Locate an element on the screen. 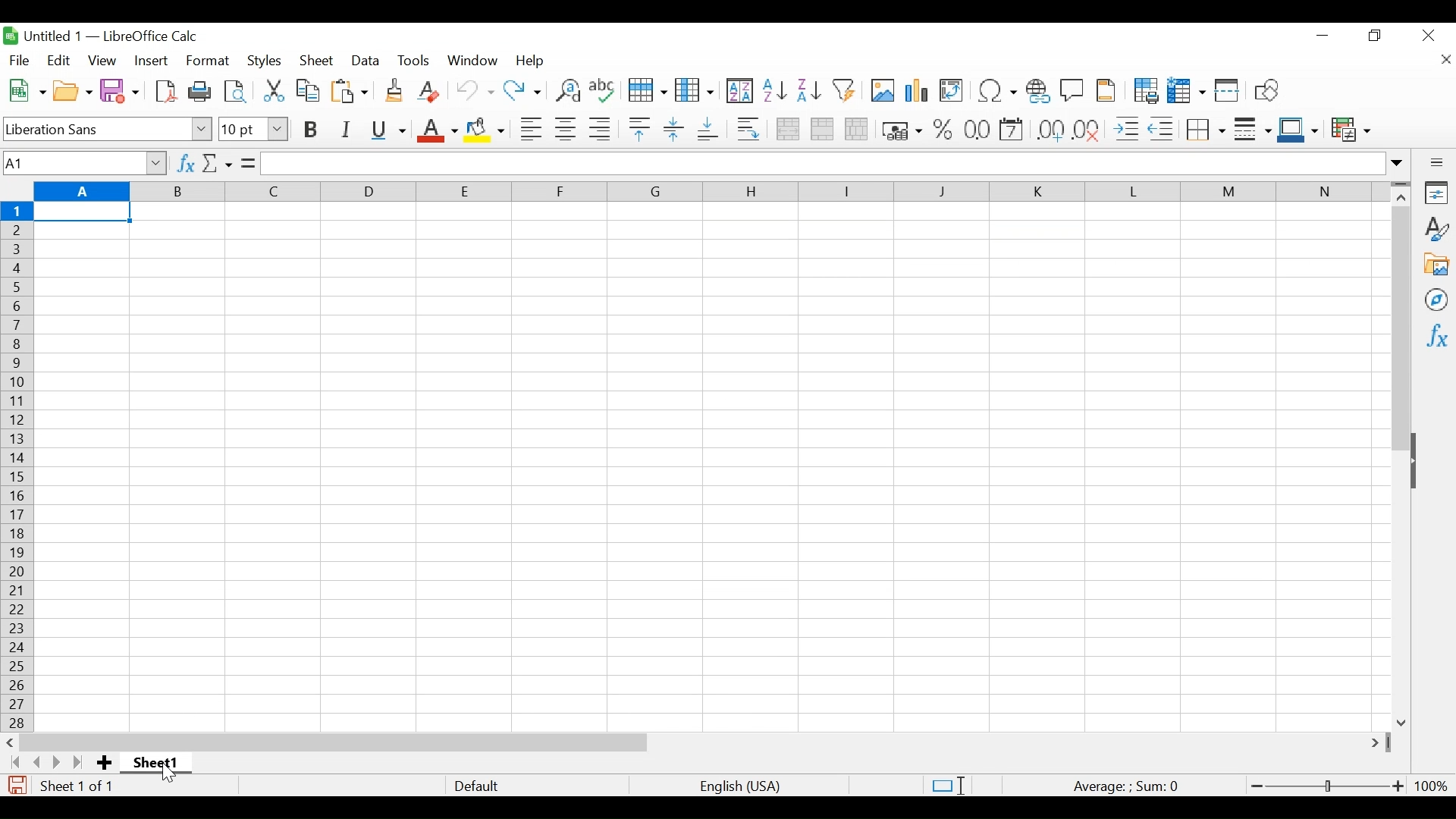 Image resolution: width=1456 pixels, height=819 pixels. View is located at coordinates (102, 60).